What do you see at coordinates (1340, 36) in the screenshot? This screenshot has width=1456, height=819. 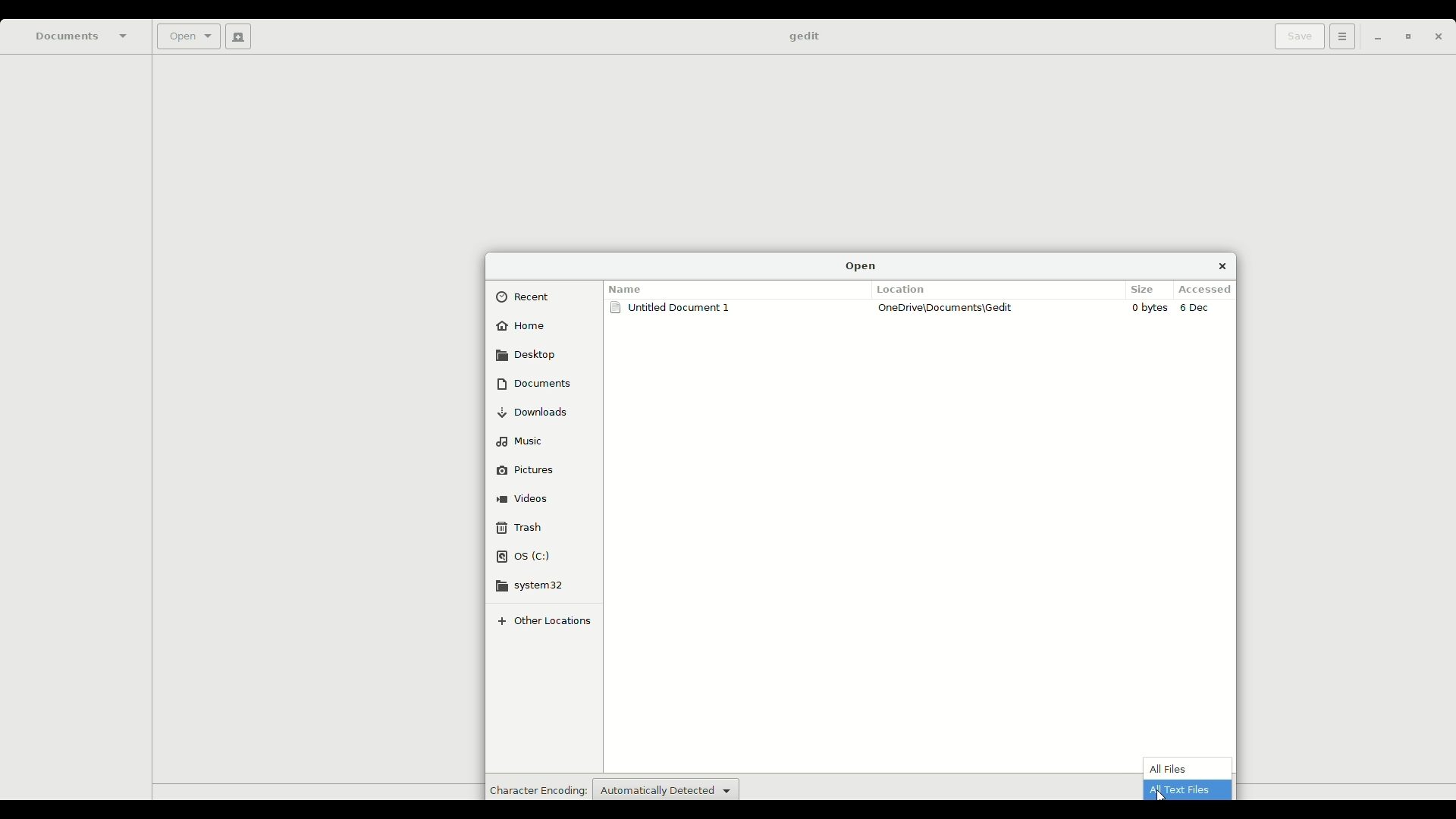 I see `Options` at bounding box center [1340, 36].